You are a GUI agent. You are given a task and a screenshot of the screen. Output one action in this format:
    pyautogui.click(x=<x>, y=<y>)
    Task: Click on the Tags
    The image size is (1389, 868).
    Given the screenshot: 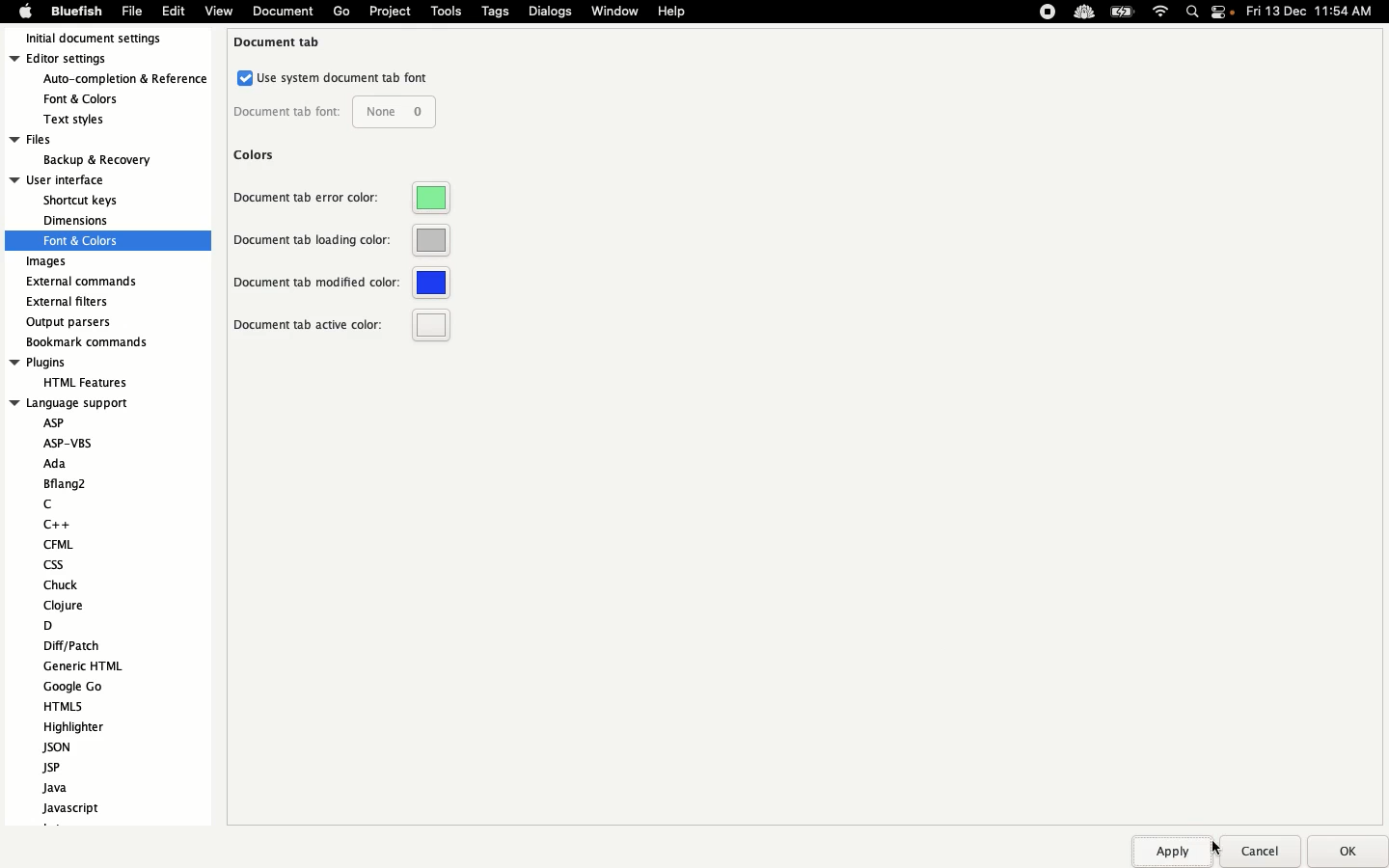 What is the action you would take?
    pyautogui.click(x=497, y=11)
    